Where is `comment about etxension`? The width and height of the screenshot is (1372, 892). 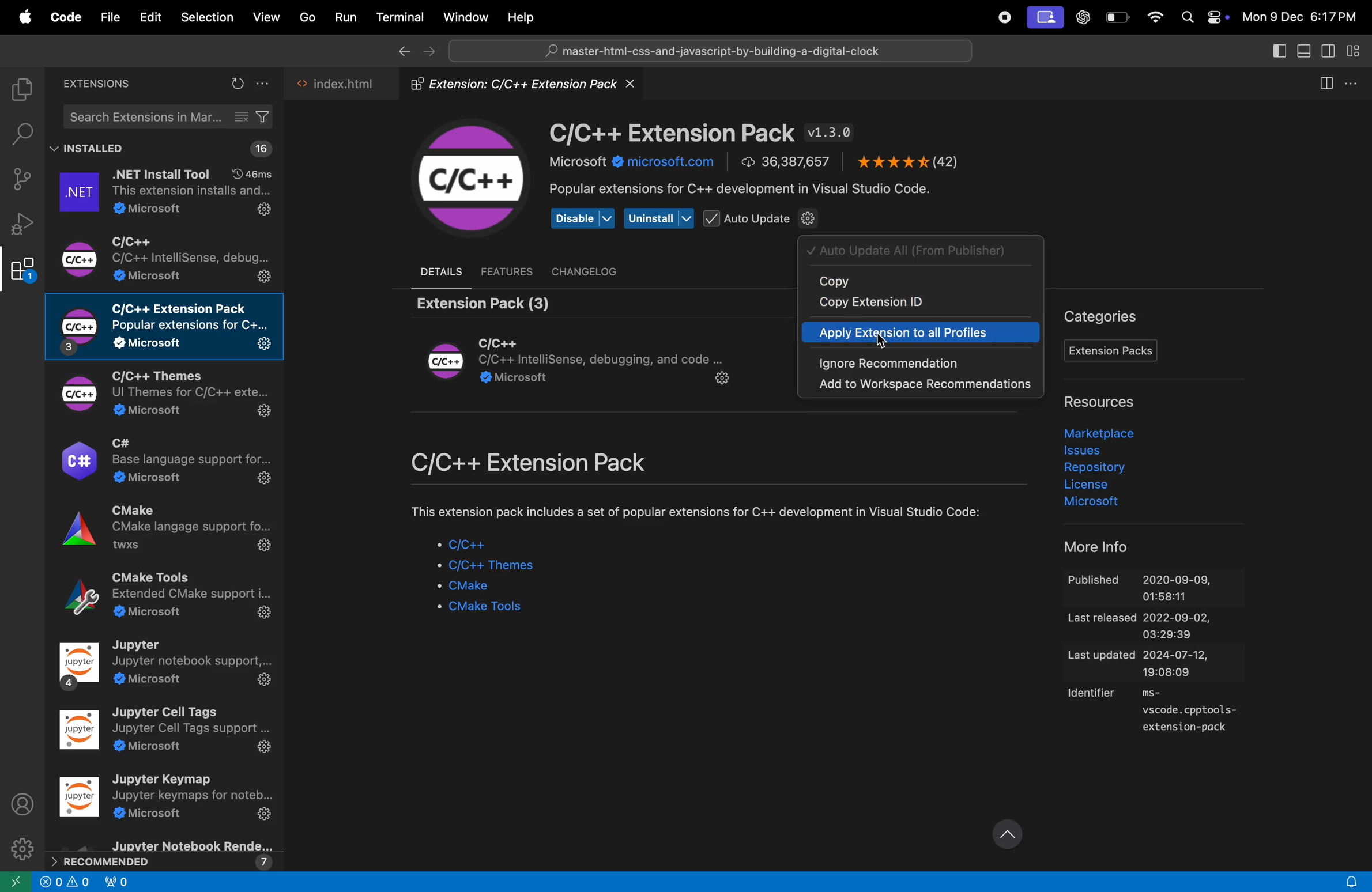 comment about etxension is located at coordinates (696, 513).